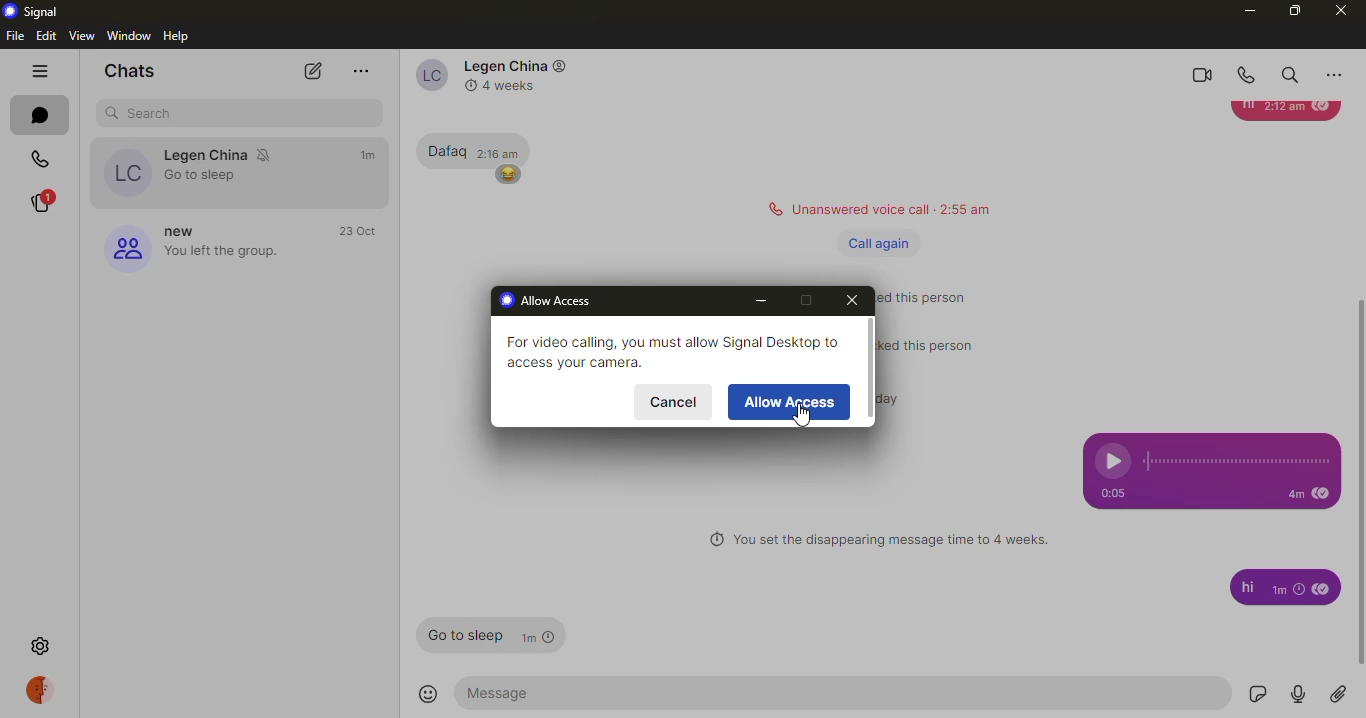 The width and height of the screenshot is (1366, 718). Describe the element at coordinates (542, 637) in the screenshot. I see `1m` at that location.